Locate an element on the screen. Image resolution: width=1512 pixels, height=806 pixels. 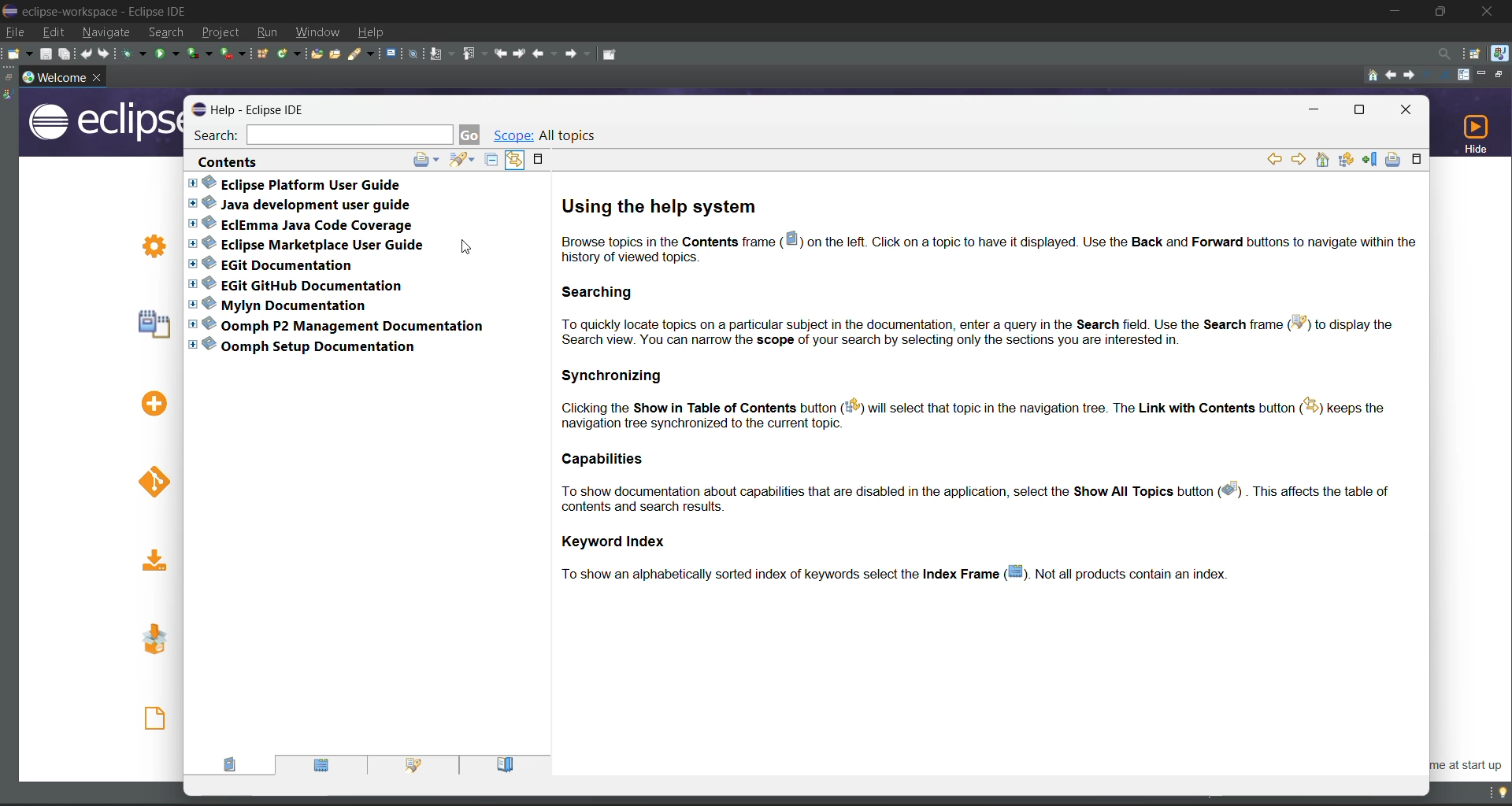
maximize is located at coordinates (1443, 14).